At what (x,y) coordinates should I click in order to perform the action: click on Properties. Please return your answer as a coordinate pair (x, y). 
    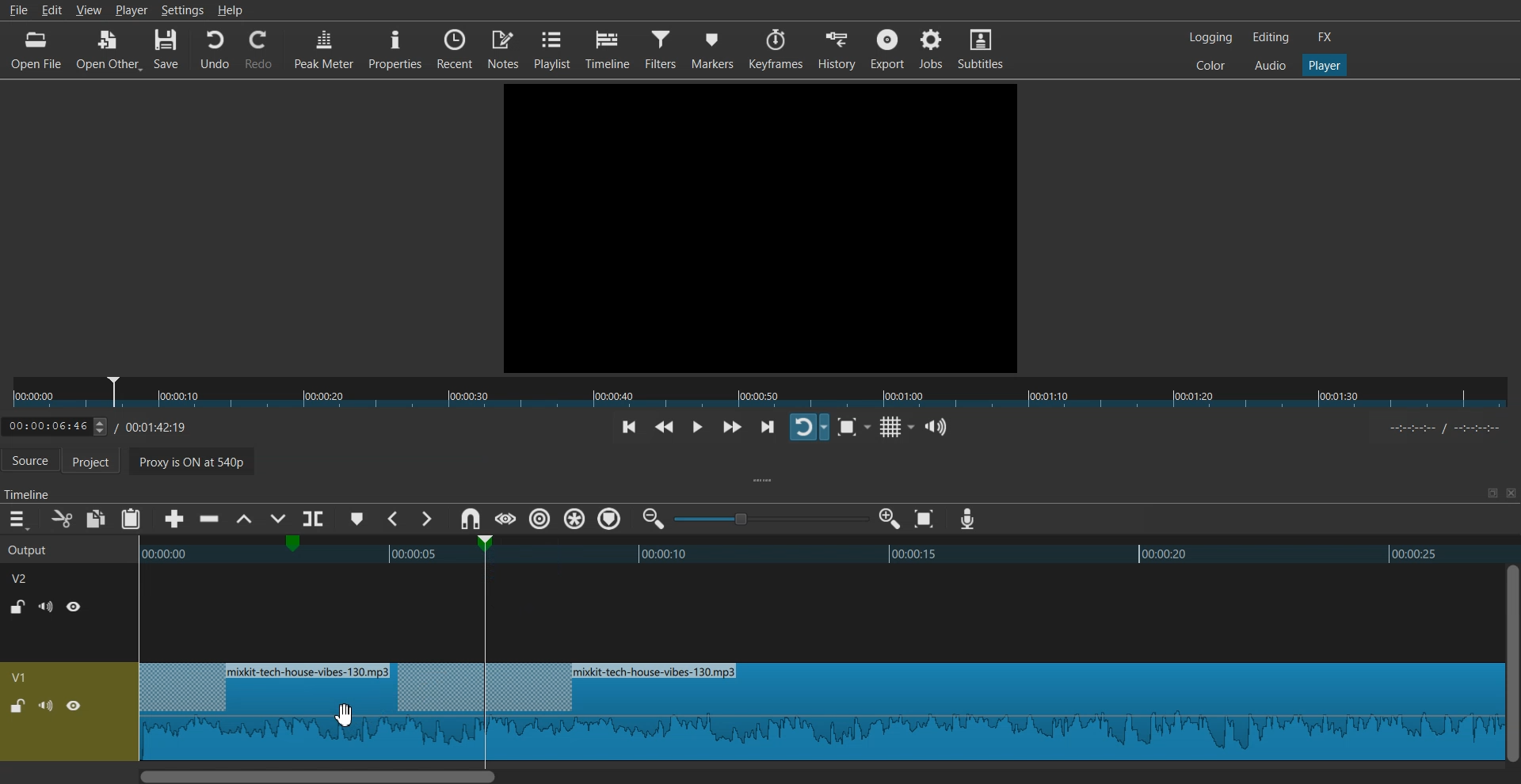
    Looking at the image, I should click on (395, 48).